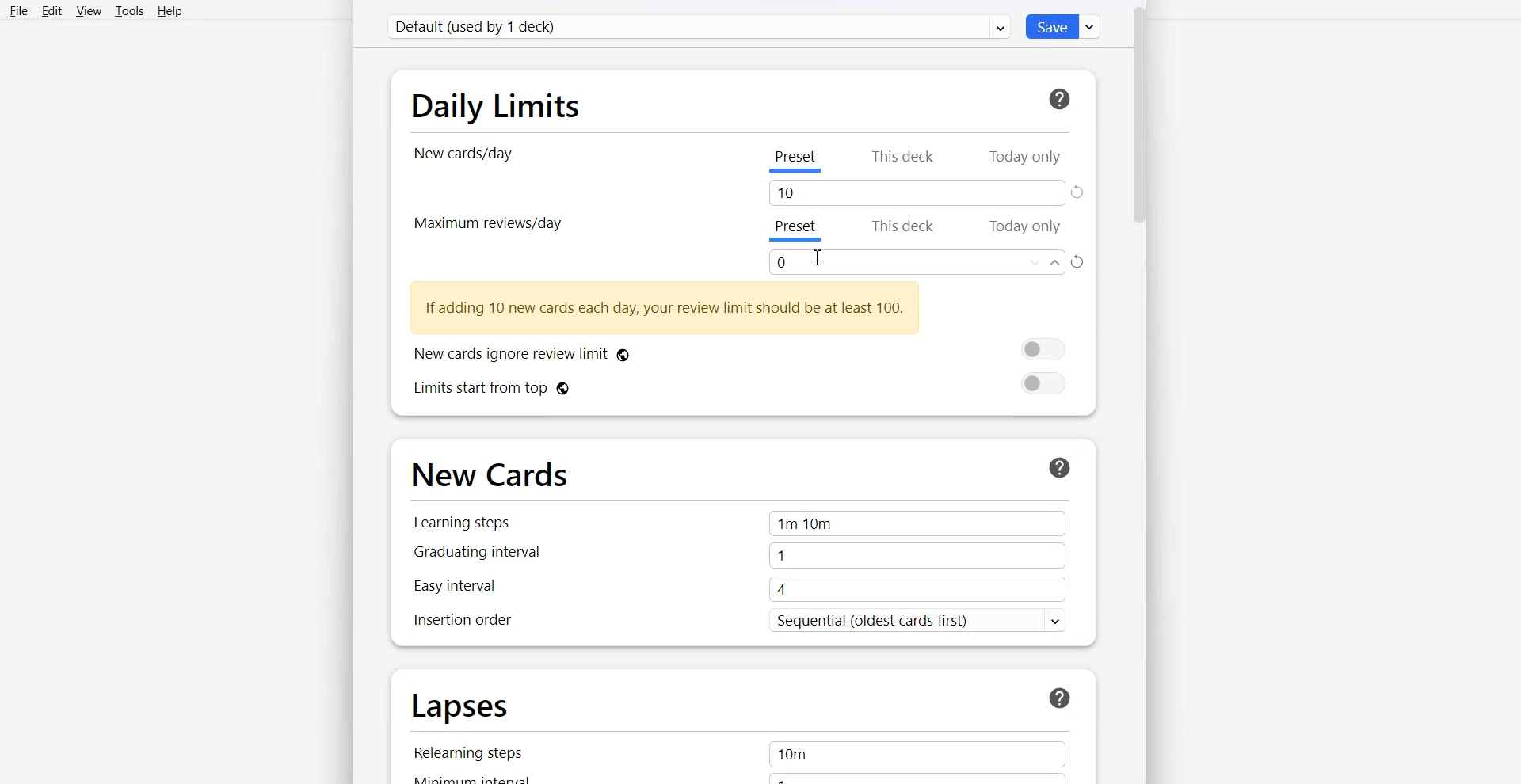  What do you see at coordinates (916, 262) in the screenshot?
I see `Enter amount` at bounding box center [916, 262].